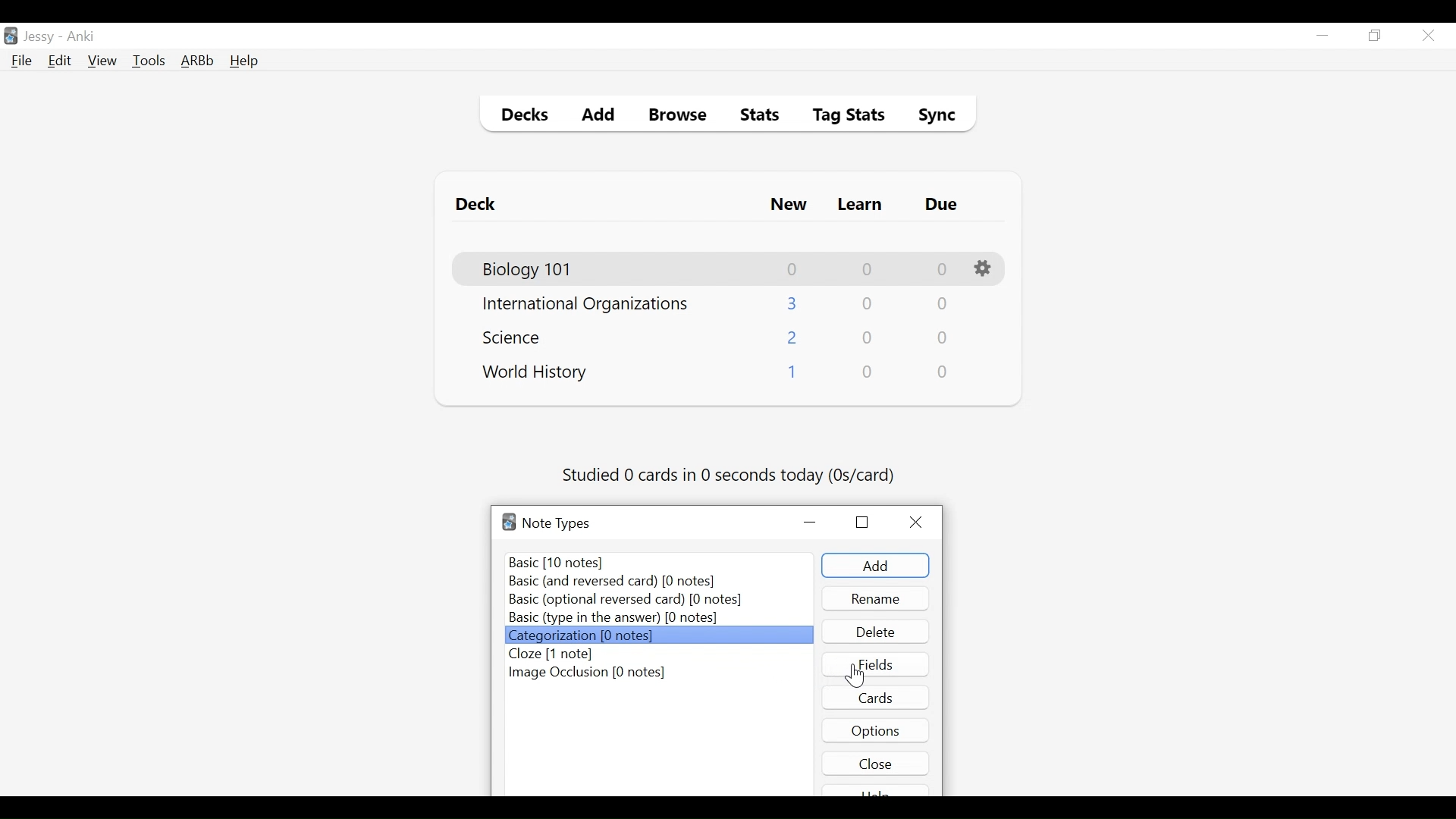  What do you see at coordinates (42, 37) in the screenshot?
I see `User Nmae` at bounding box center [42, 37].